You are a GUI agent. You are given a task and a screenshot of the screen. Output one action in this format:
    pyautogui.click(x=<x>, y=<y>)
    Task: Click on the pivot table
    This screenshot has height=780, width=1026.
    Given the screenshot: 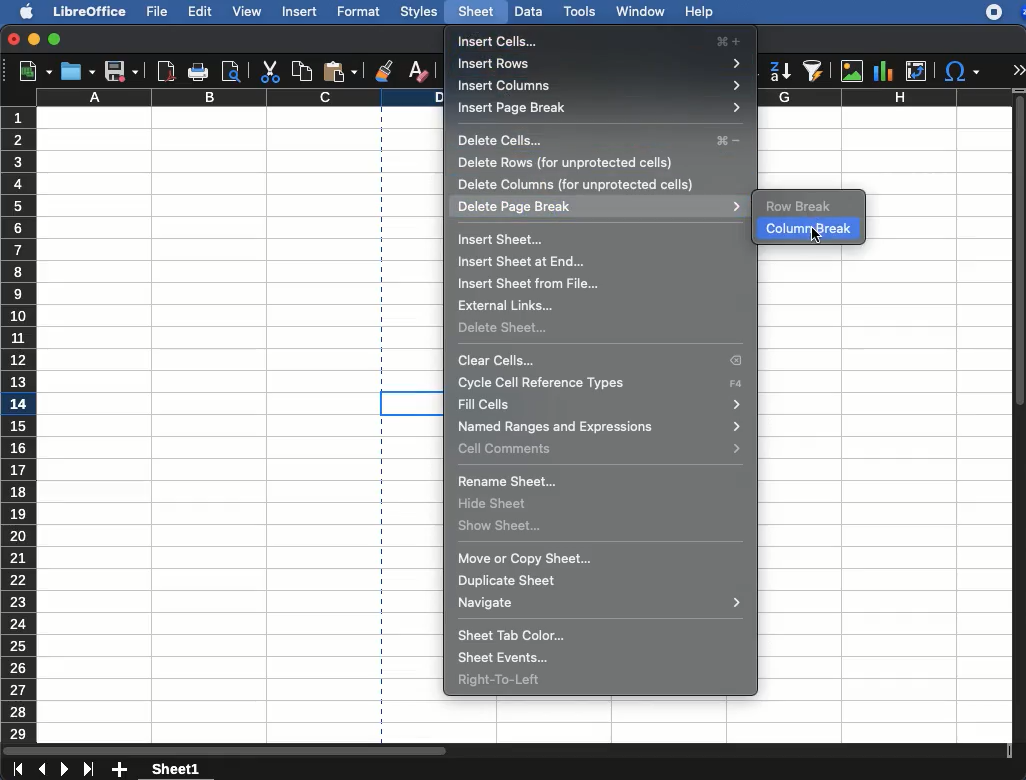 What is the action you would take?
    pyautogui.click(x=919, y=69)
    